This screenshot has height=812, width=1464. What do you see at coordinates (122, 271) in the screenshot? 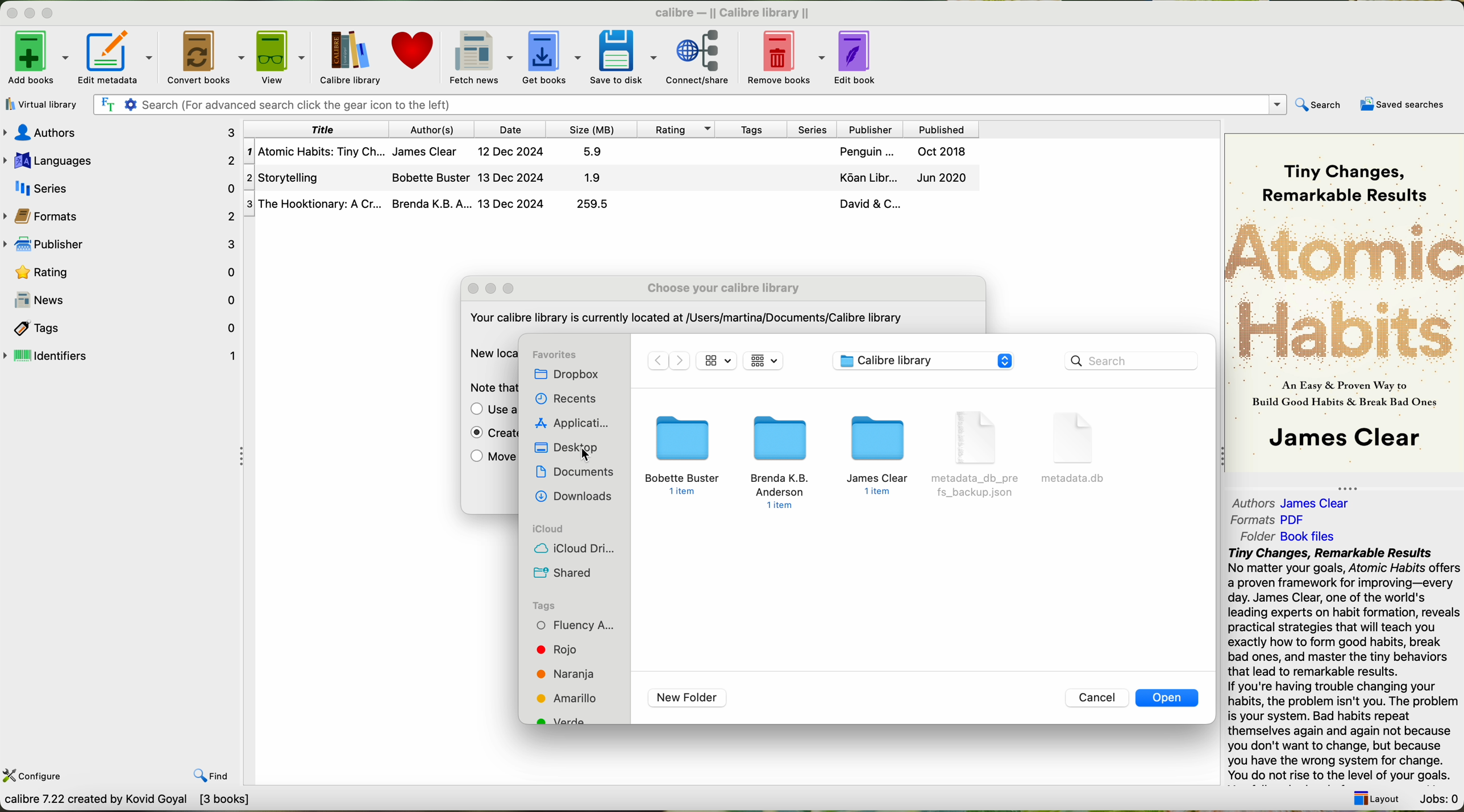
I see `rating` at bounding box center [122, 271].